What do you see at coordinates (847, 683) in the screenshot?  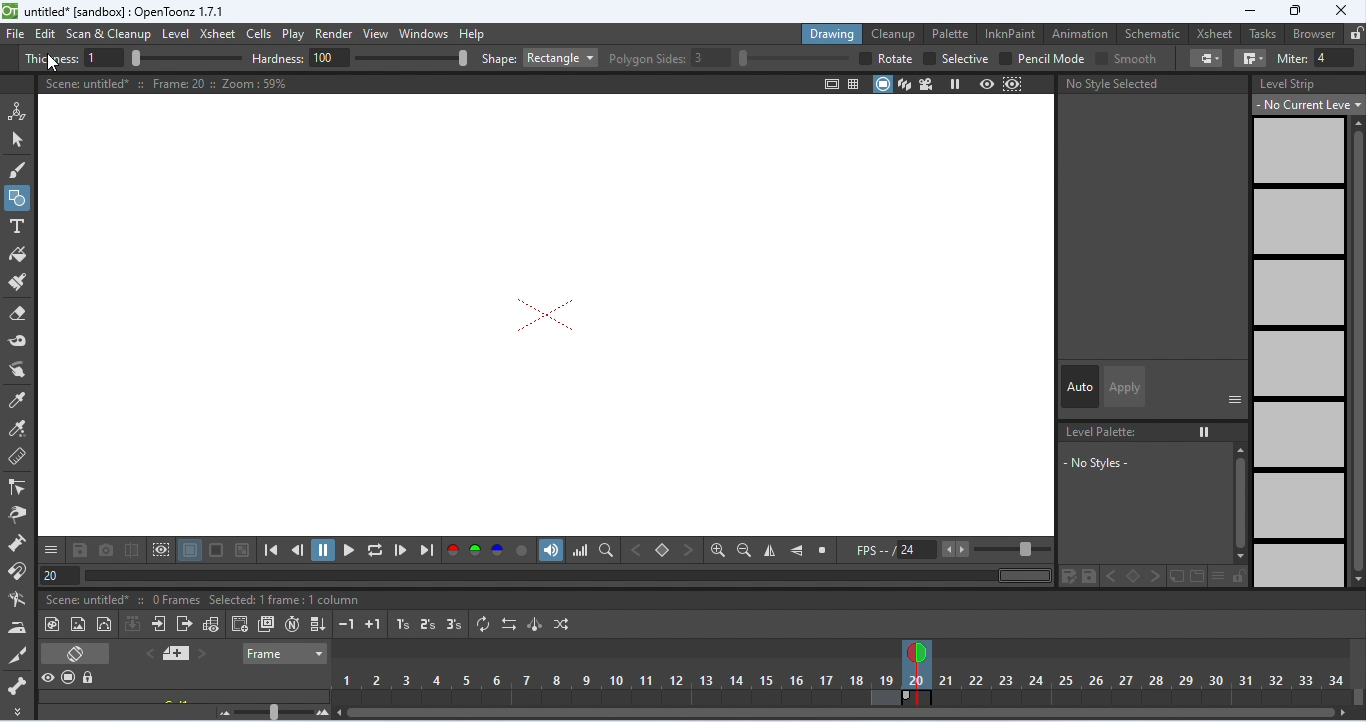 I see `frames` at bounding box center [847, 683].